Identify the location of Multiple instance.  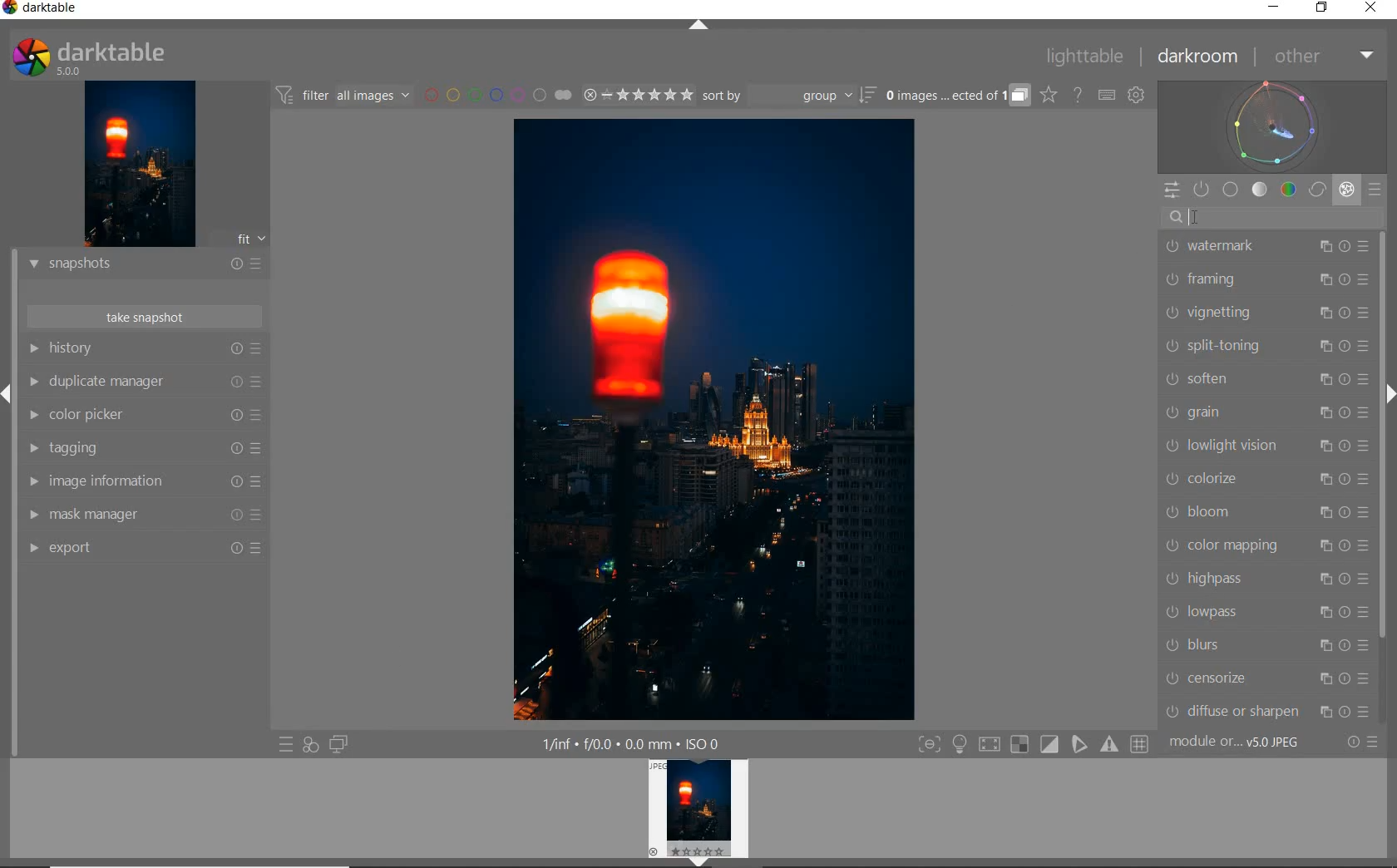
(1318, 578).